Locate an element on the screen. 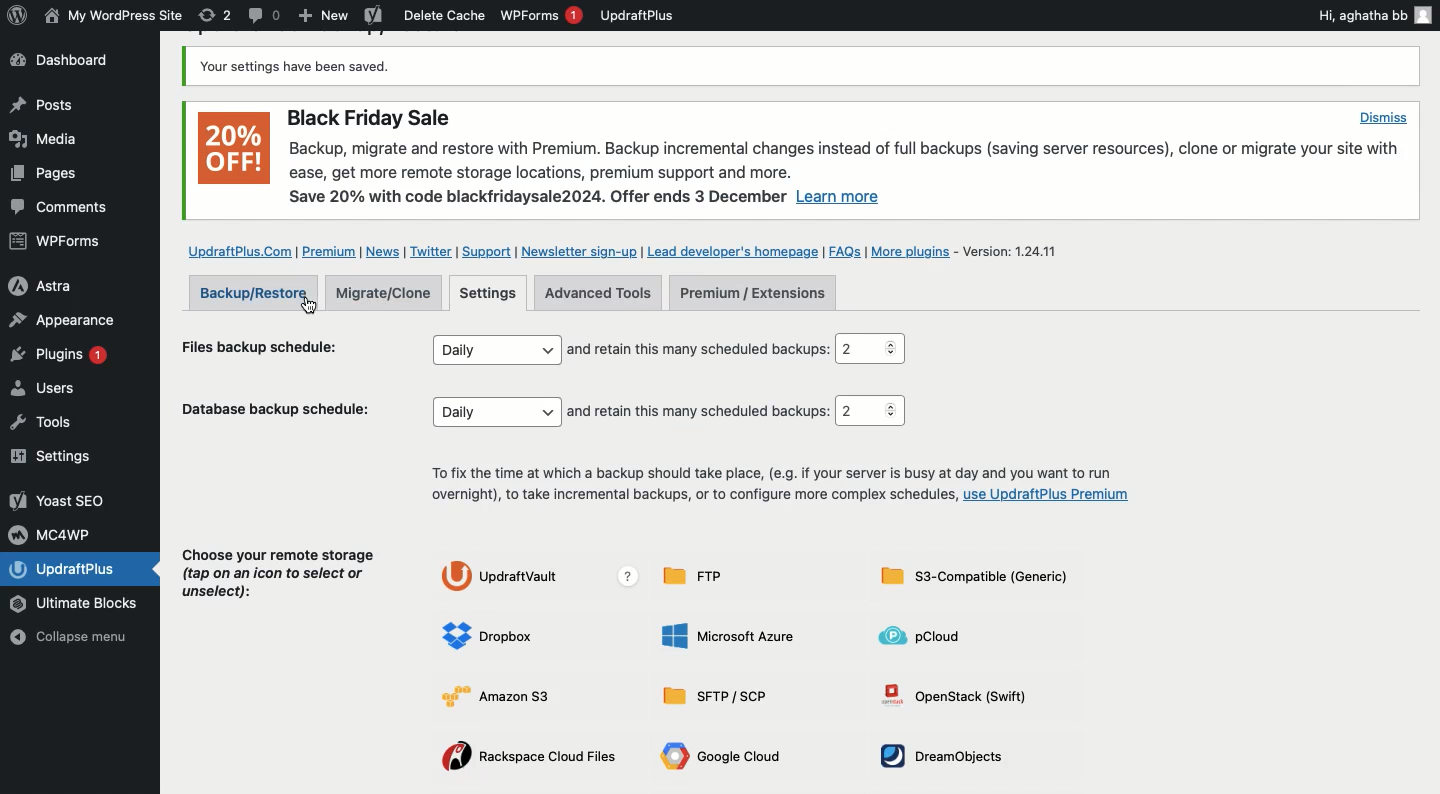 The height and width of the screenshot is (794, 1440). Comments is located at coordinates (62, 208).